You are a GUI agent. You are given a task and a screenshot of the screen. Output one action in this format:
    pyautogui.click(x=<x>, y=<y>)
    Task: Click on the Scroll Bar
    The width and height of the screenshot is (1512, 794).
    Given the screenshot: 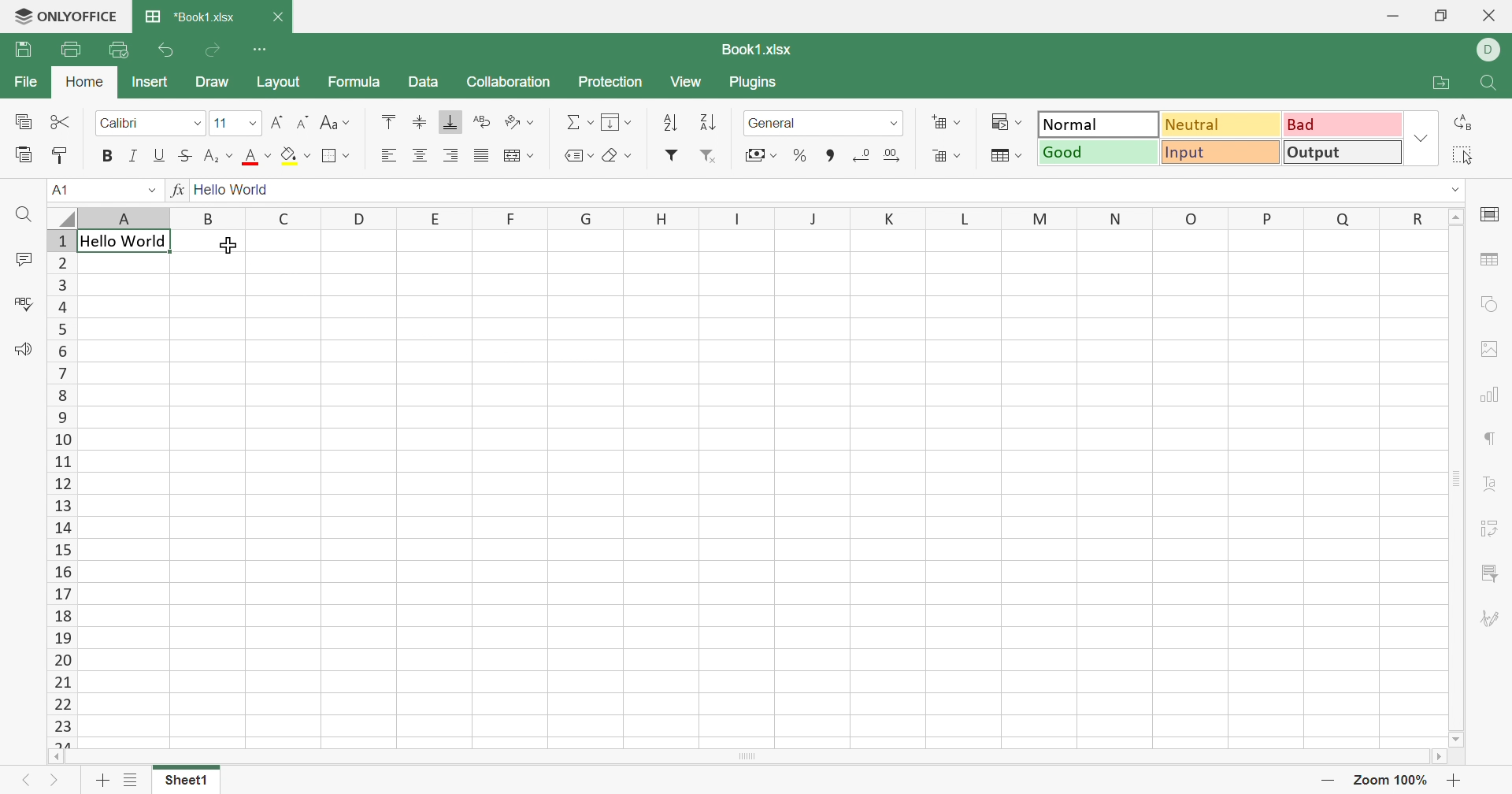 What is the action you would take?
    pyautogui.click(x=744, y=756)
    